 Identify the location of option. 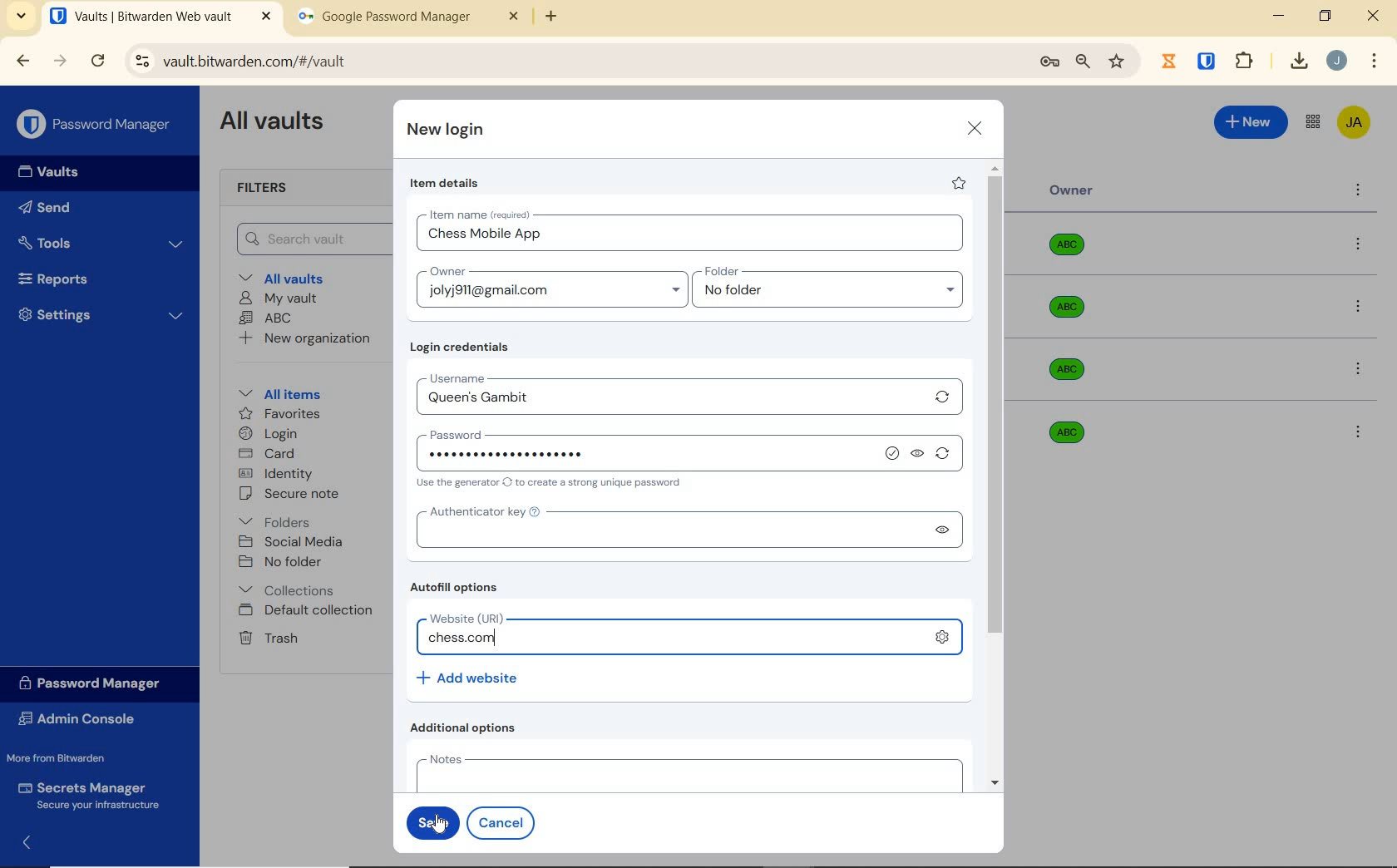
(1361, 308).